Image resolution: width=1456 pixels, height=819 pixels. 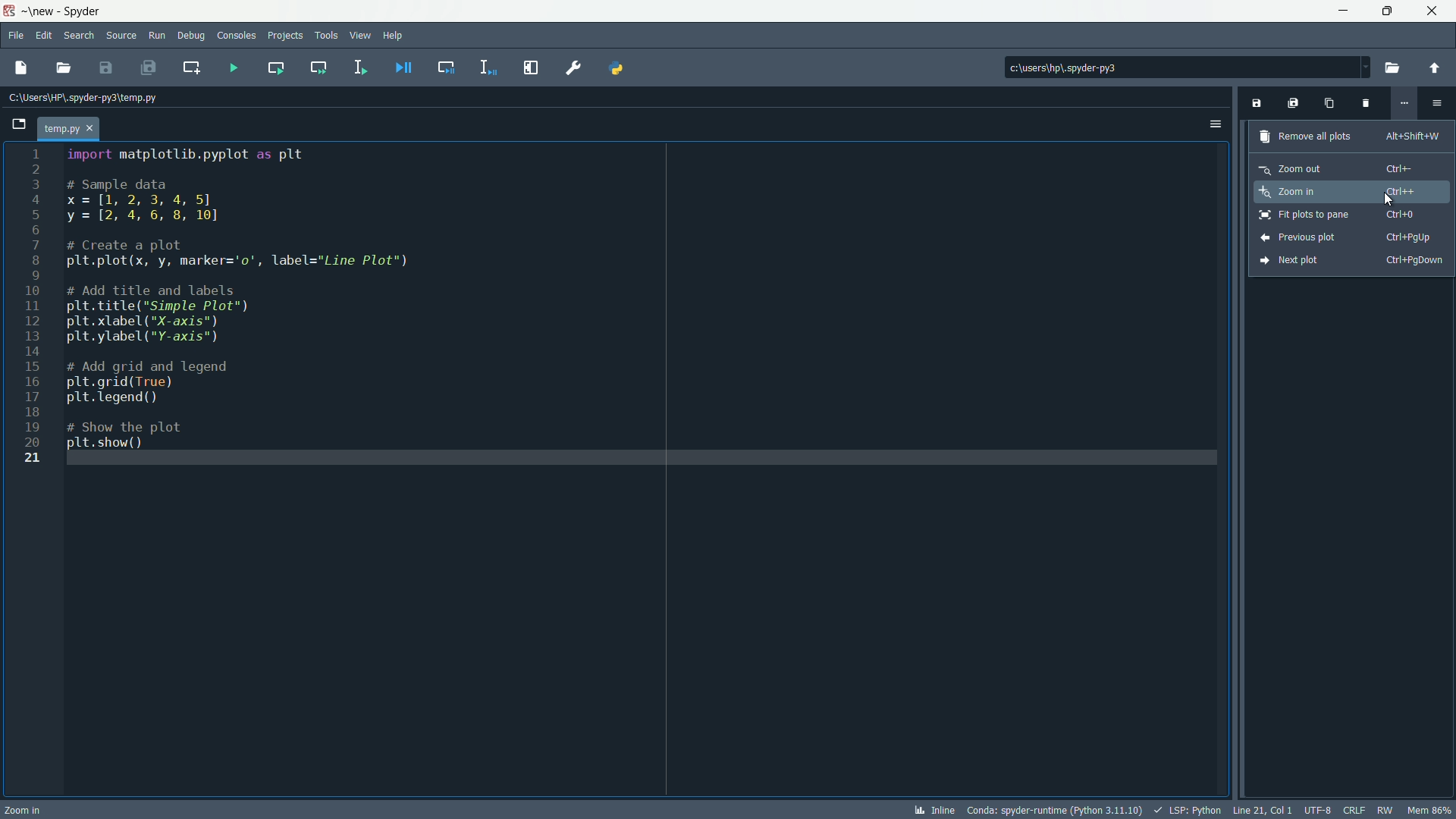 What do you see at coordinates (1405, 102) in the screenshot?
I see `more options` at bounding box center [1405, 102].